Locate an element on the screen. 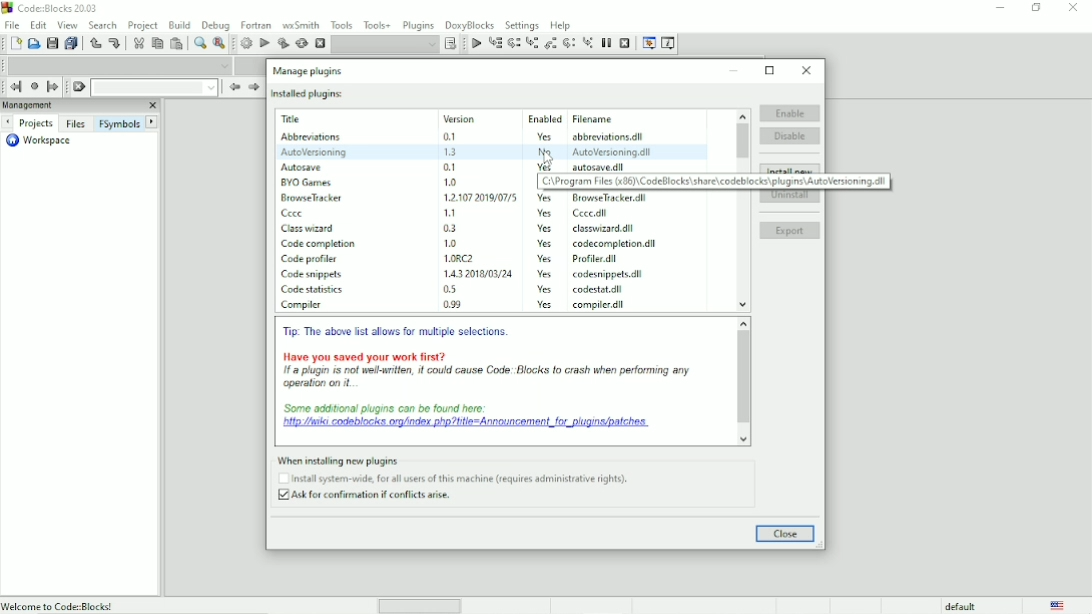 This screenshot has height=614, width=1092. Help is located at coordinates (560, 25).